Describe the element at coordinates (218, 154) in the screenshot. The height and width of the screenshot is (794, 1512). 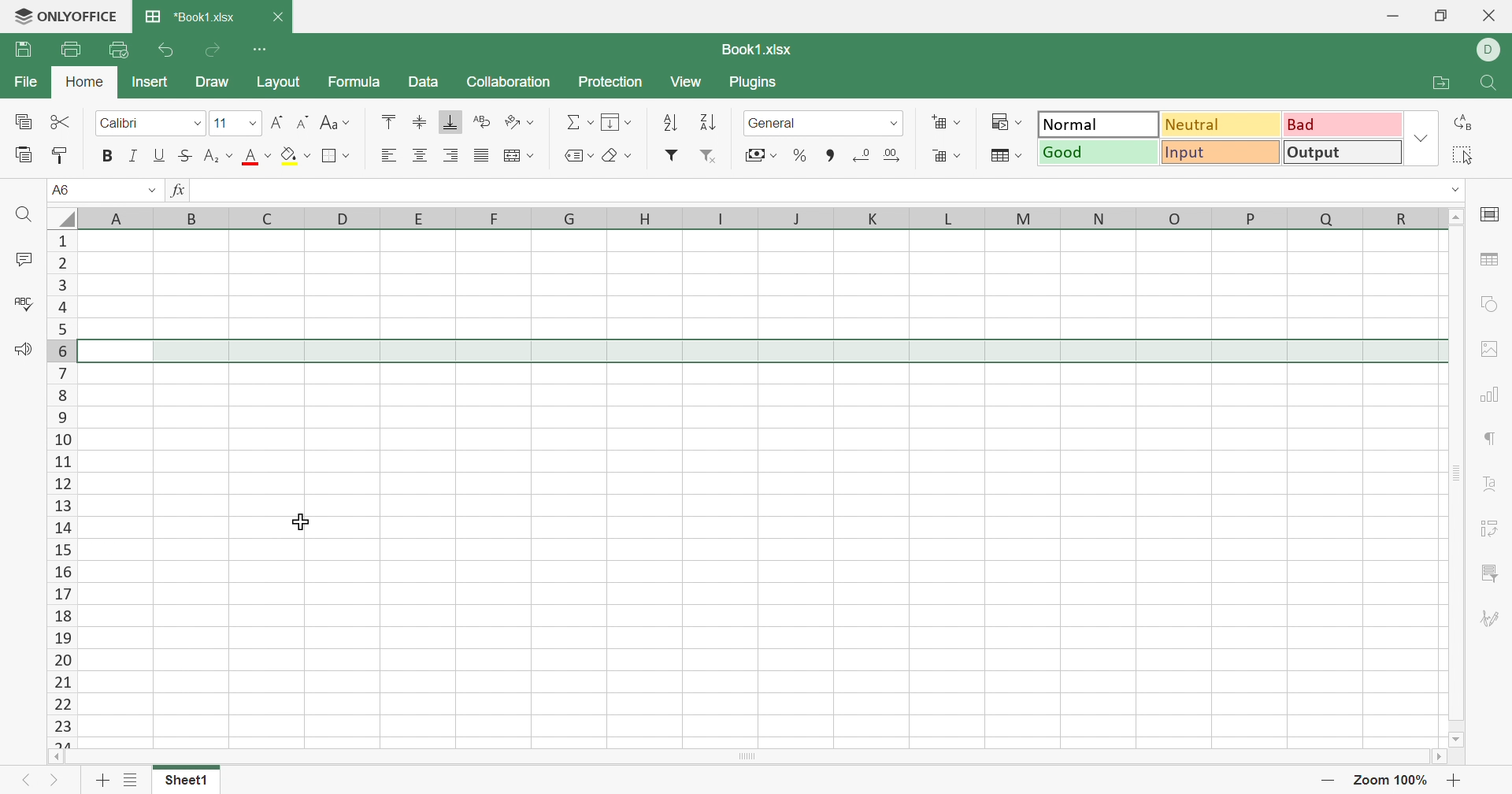
I see `Subscript/ Superscript` at that location.